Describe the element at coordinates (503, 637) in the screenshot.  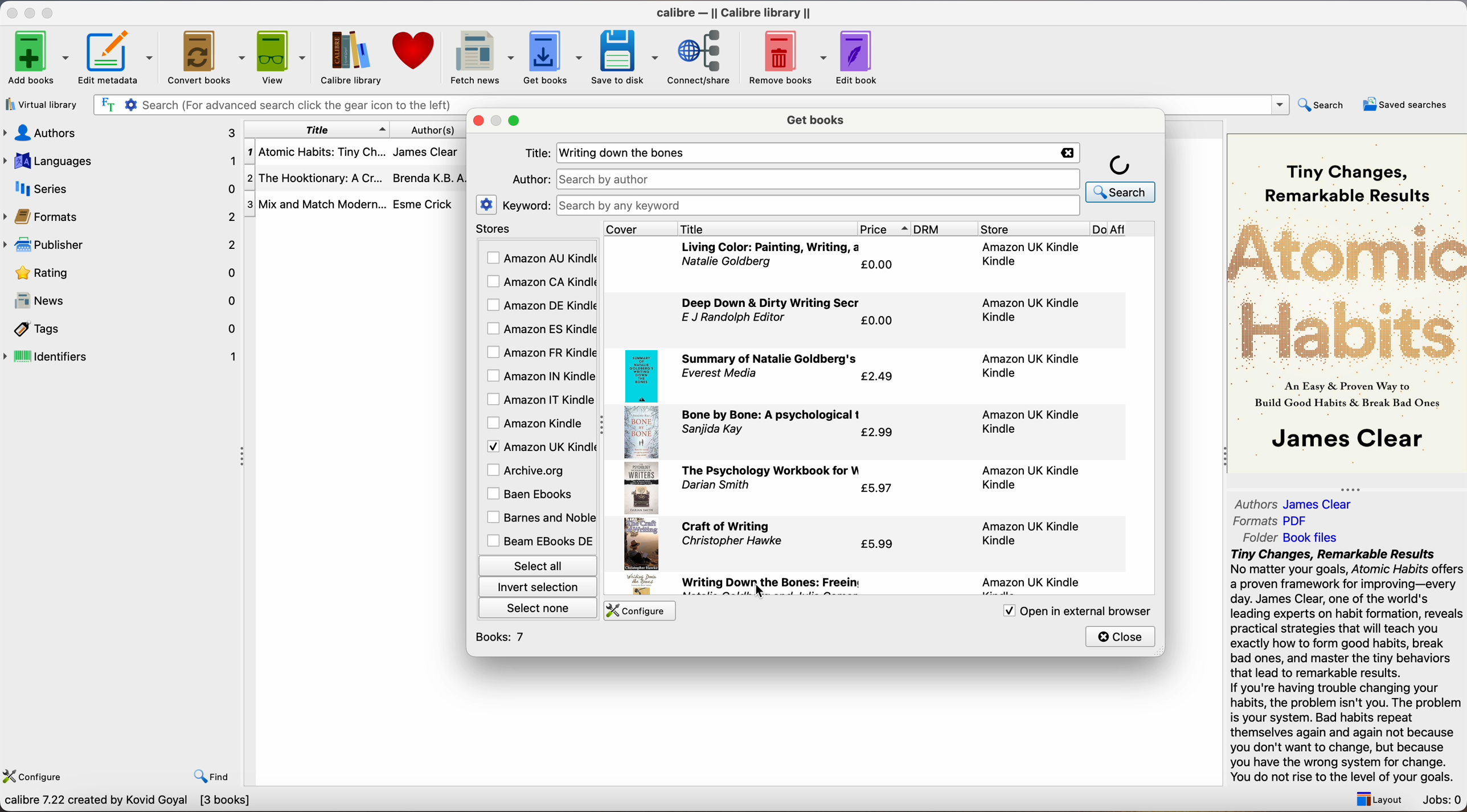
I see `books: 0` at that location.